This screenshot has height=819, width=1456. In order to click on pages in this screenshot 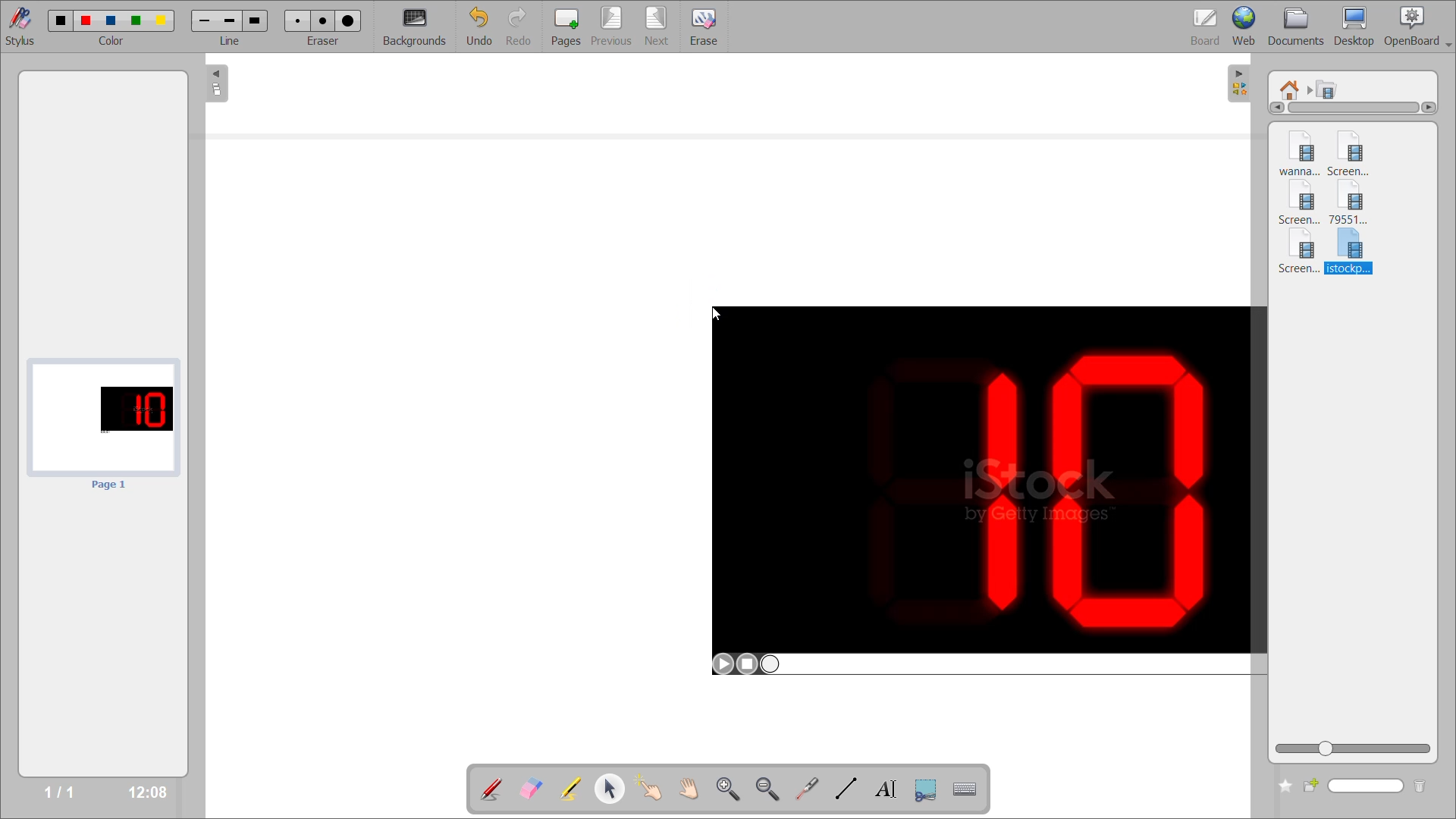, I will do `click(562, 24)`.